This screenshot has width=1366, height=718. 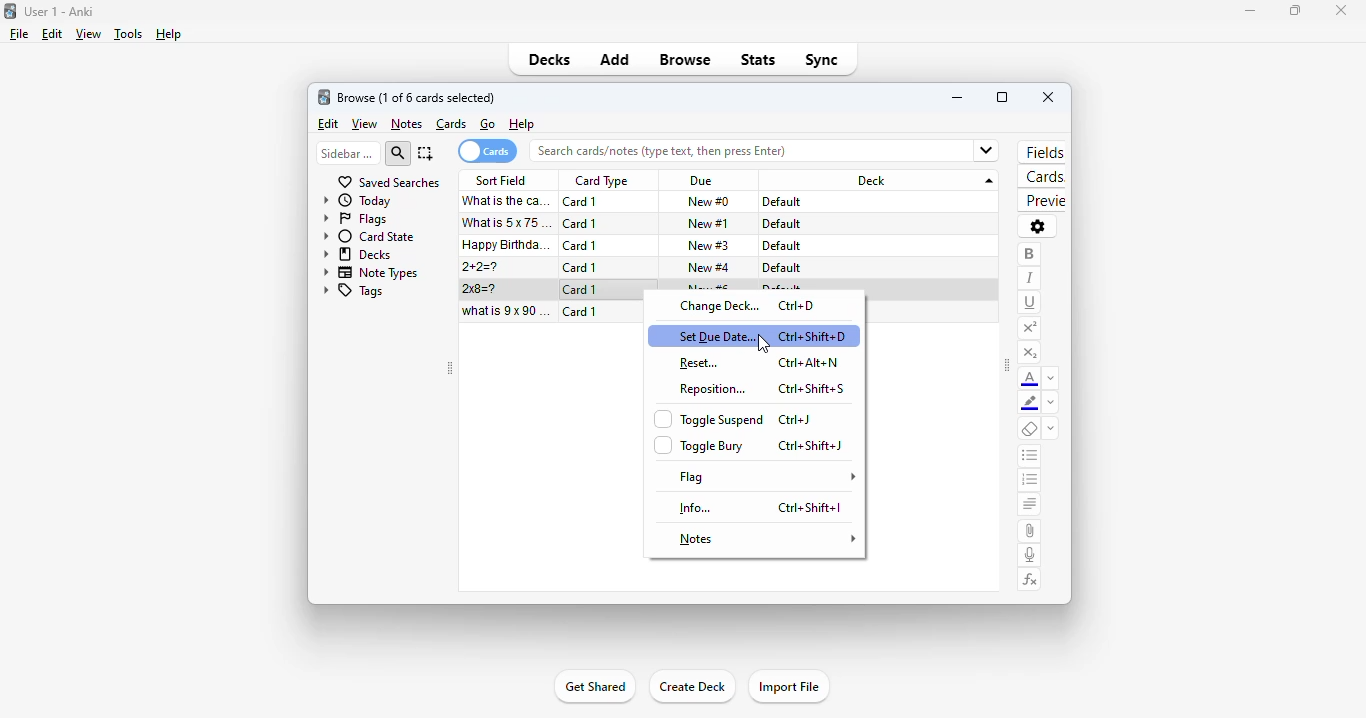 I want to click on text color, so click(x=1030, y=379).